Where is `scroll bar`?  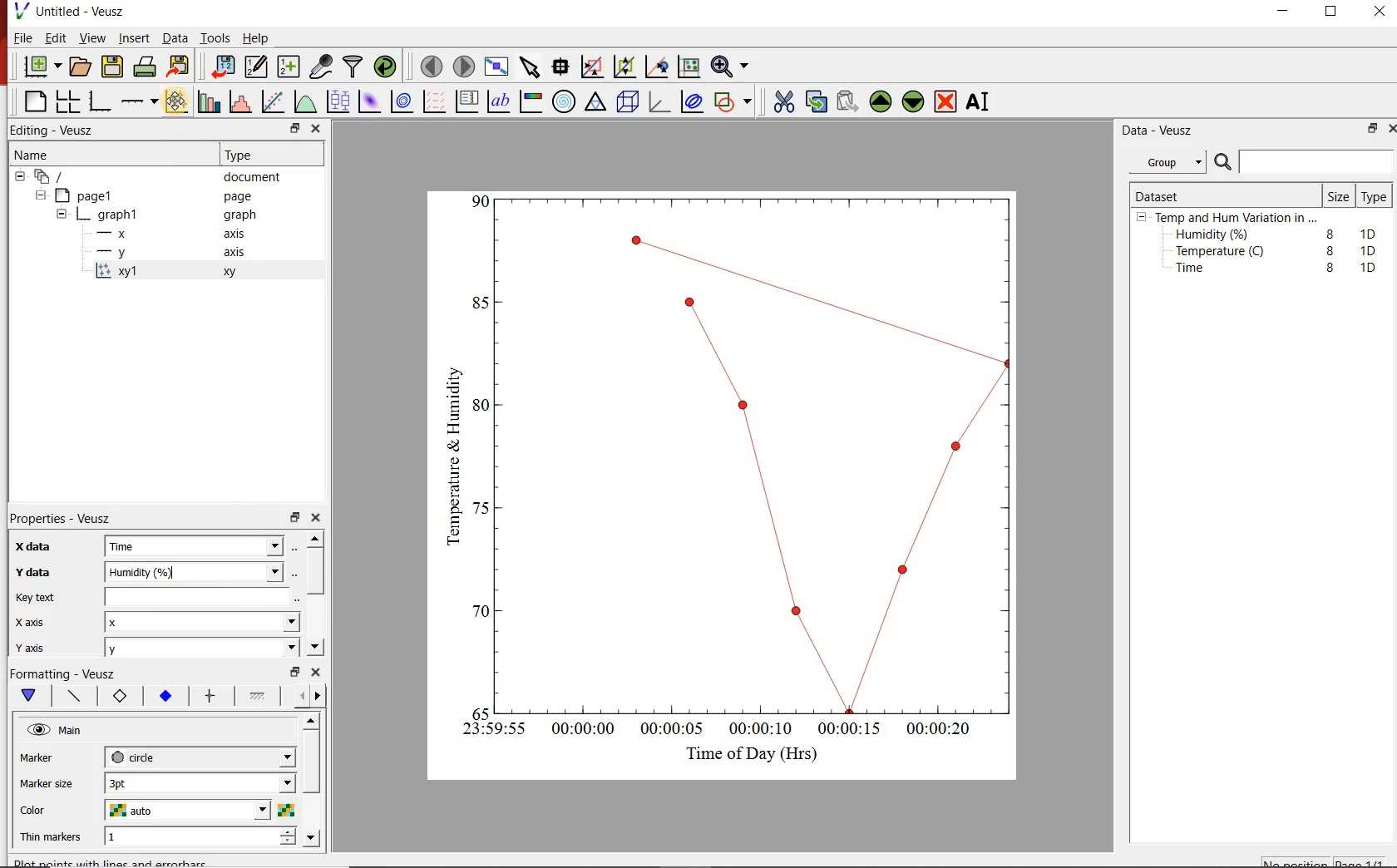 scroll bar is located at coordinates (318, 591).